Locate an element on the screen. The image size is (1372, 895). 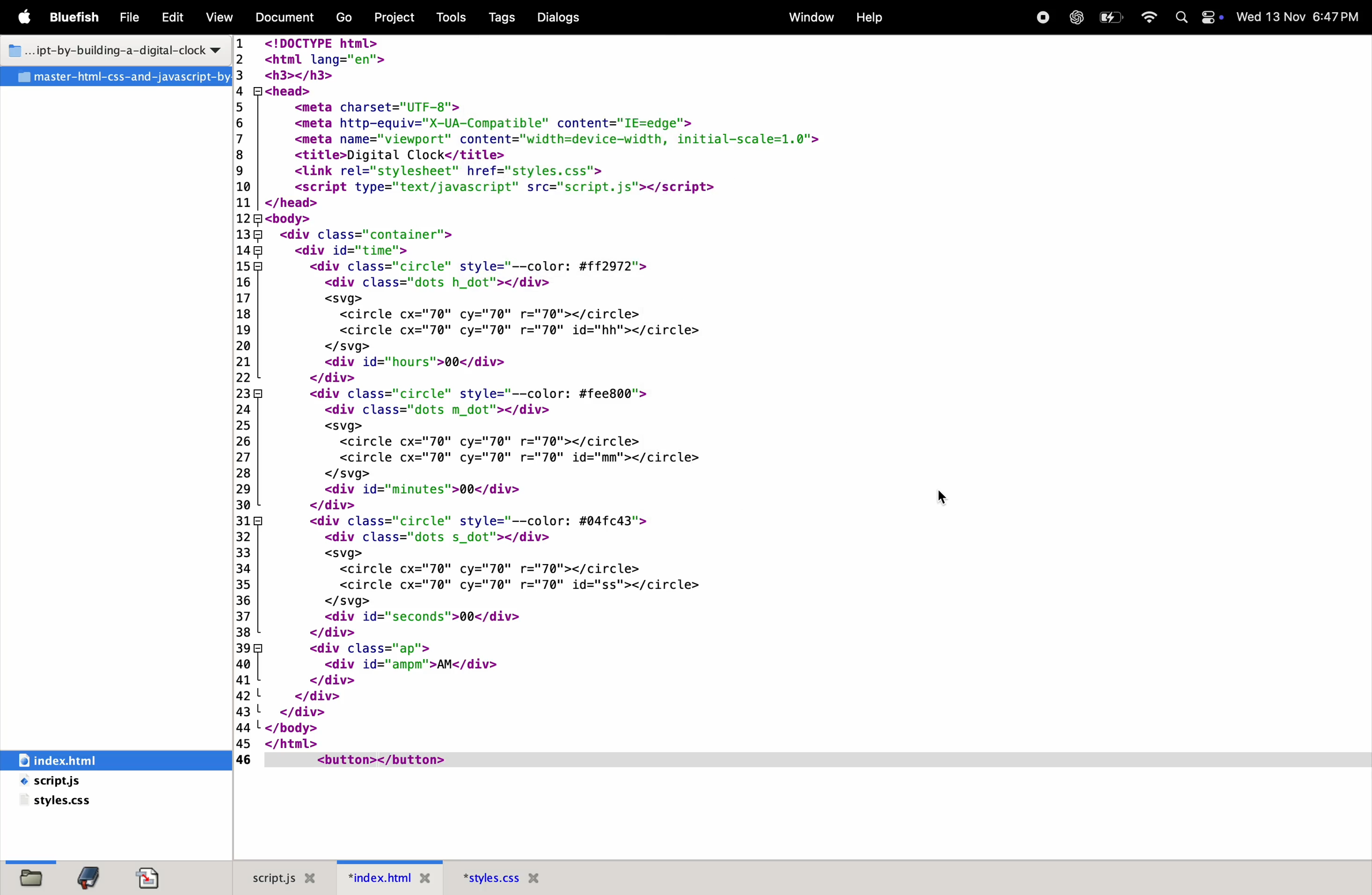
Control center is located at coordinates (1212, 17).